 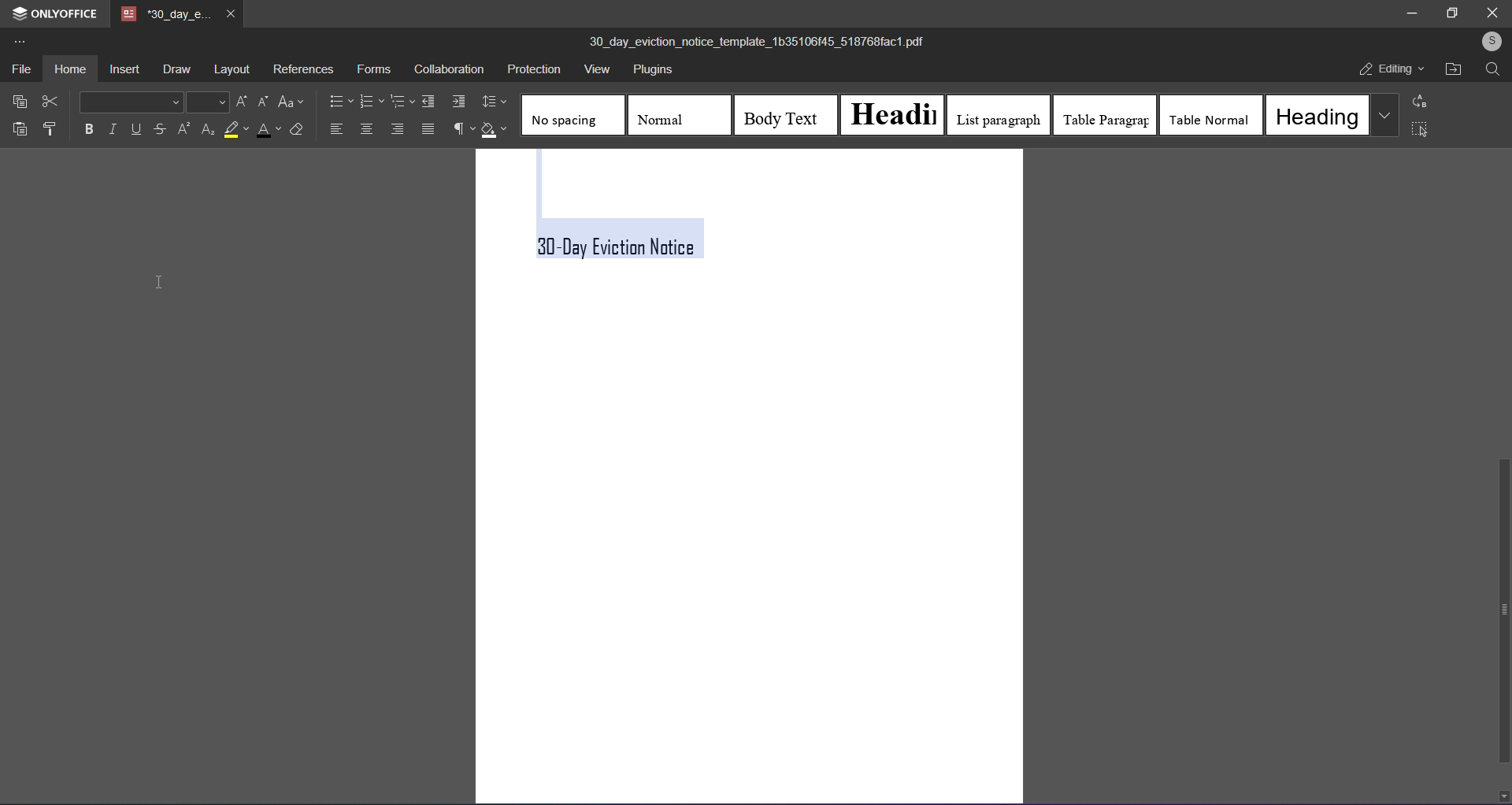 I want to click on bold, so click(x=88, y=129).